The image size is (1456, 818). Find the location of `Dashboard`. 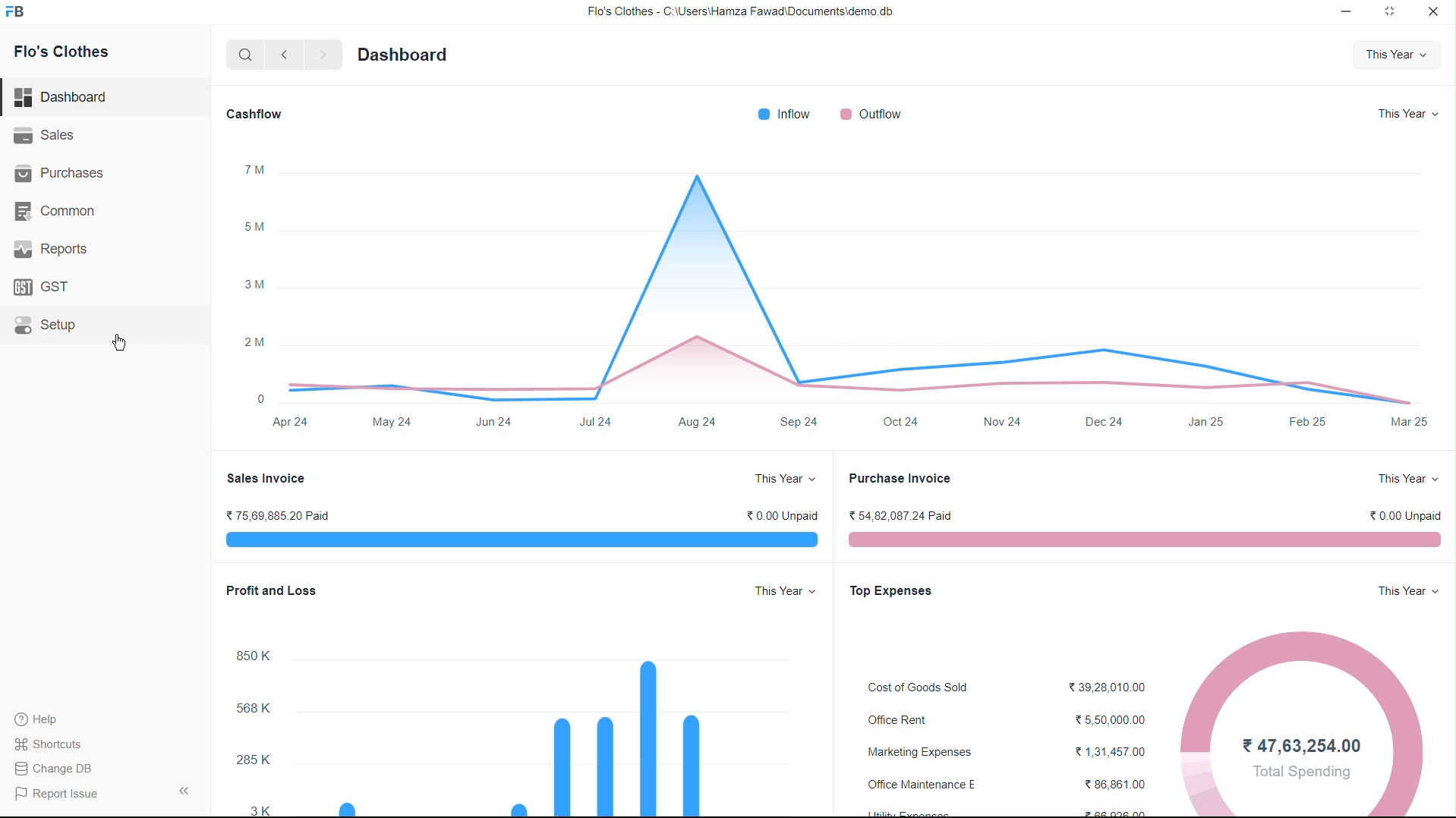

Dashboard is located at coordinates (66, 98).